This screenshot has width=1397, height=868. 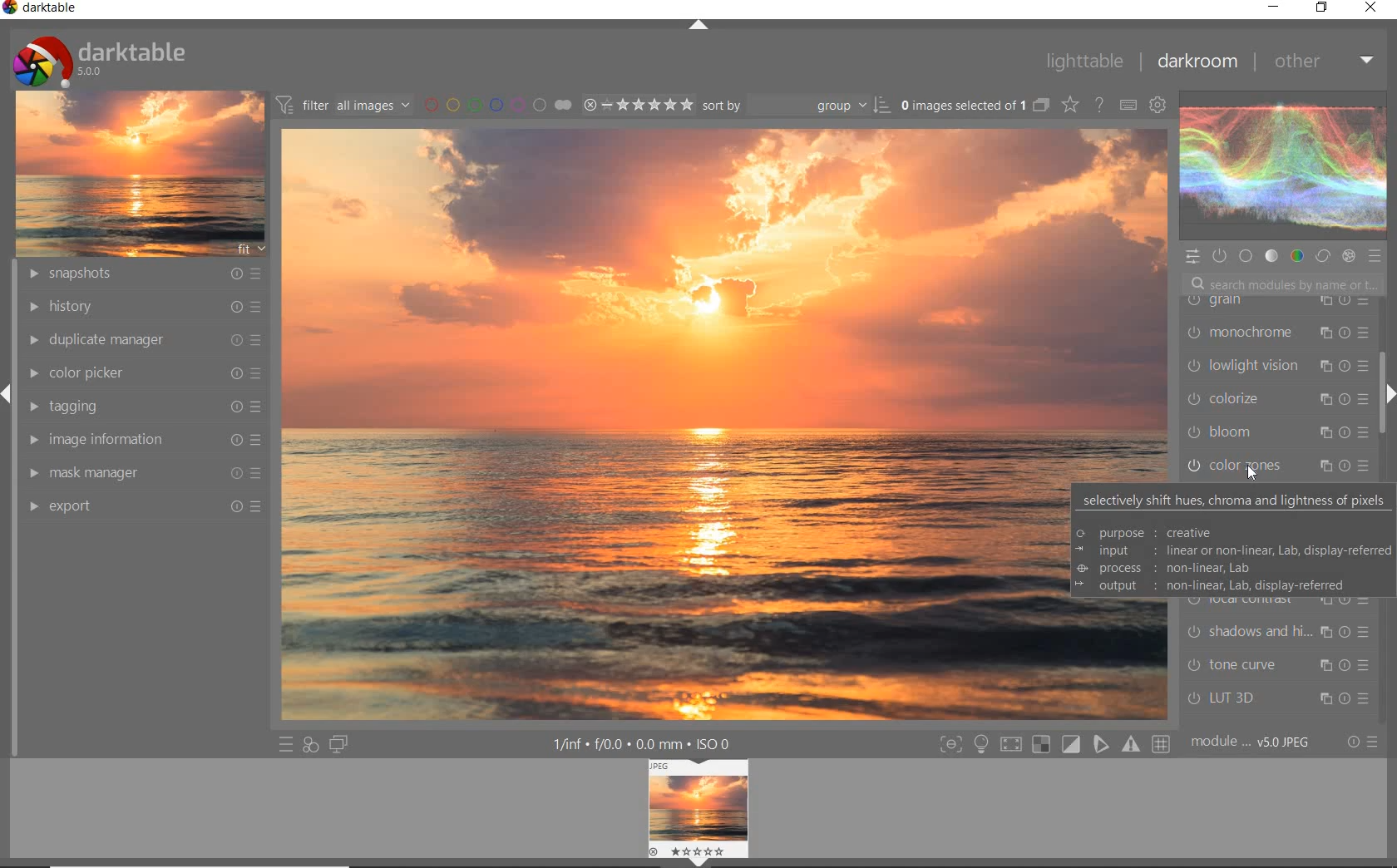 I want to click on COLOR PICKER, so click(x=148, y=372).